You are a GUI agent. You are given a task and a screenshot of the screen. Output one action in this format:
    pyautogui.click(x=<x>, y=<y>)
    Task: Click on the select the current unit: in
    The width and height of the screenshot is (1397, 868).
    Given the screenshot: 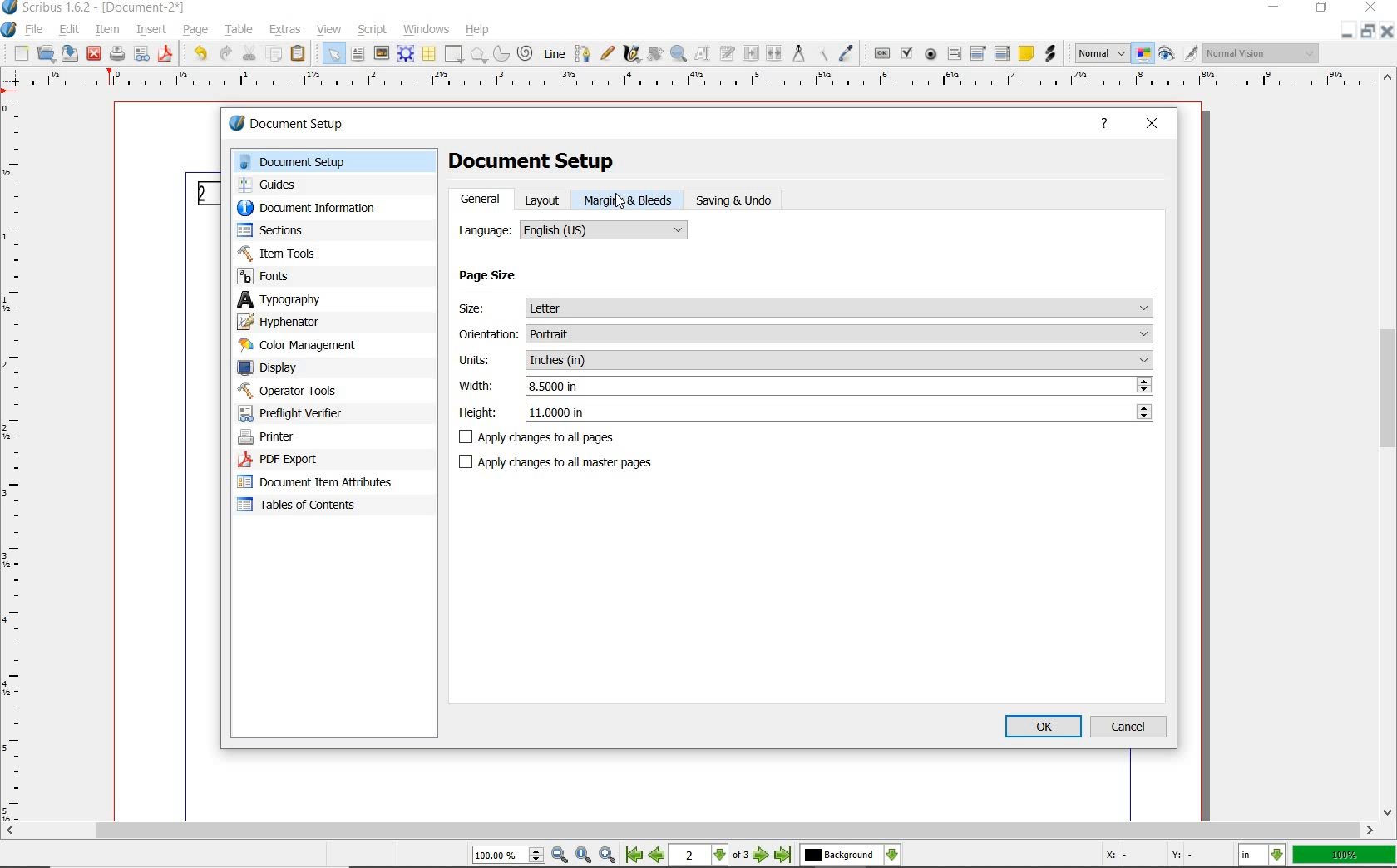 What is the action you would take?
    pyautogui.click(x=1263, y=856)
    